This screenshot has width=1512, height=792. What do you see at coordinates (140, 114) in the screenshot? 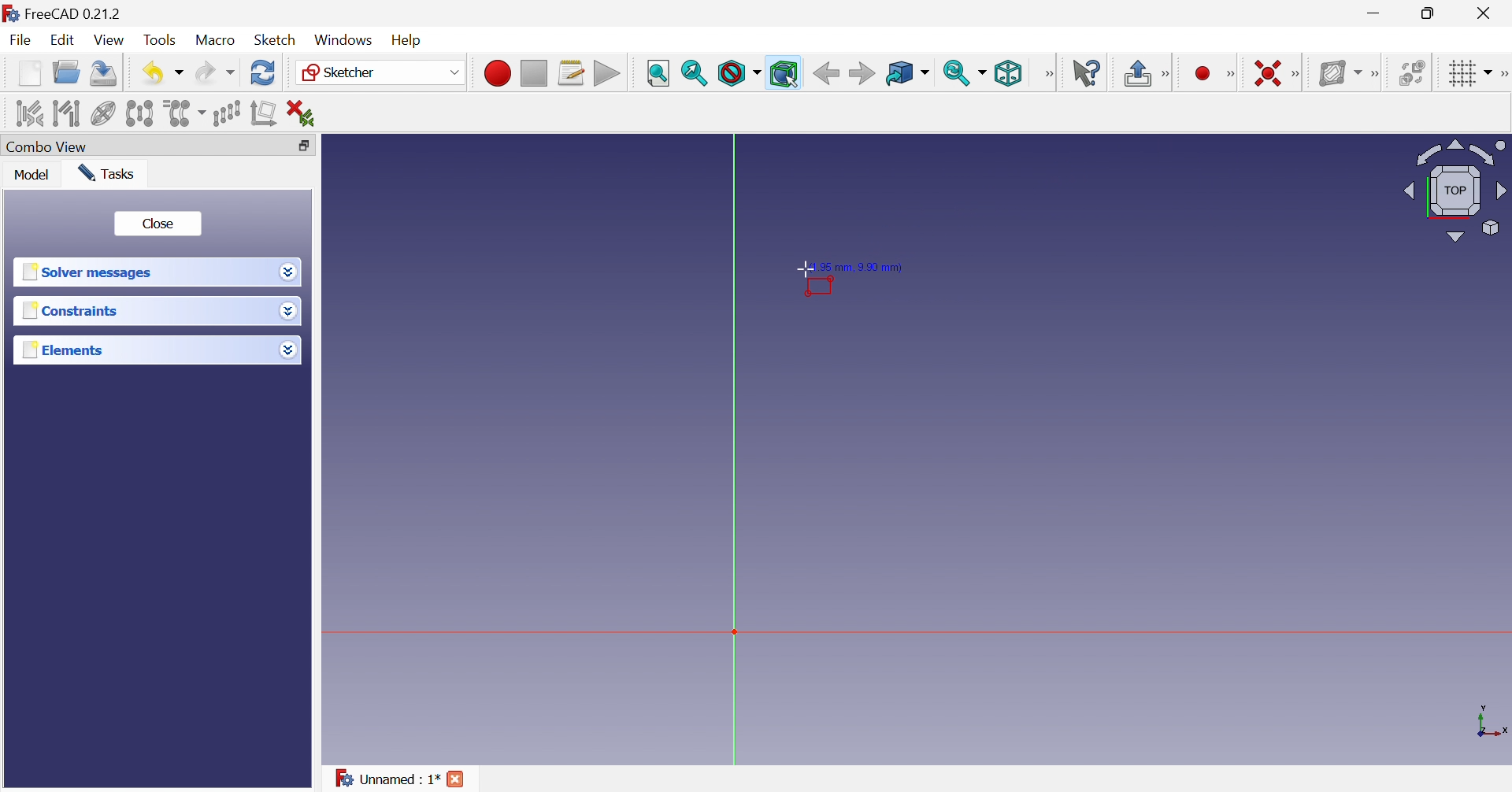
I see `Symmetry` at bounding box center [140, 114].